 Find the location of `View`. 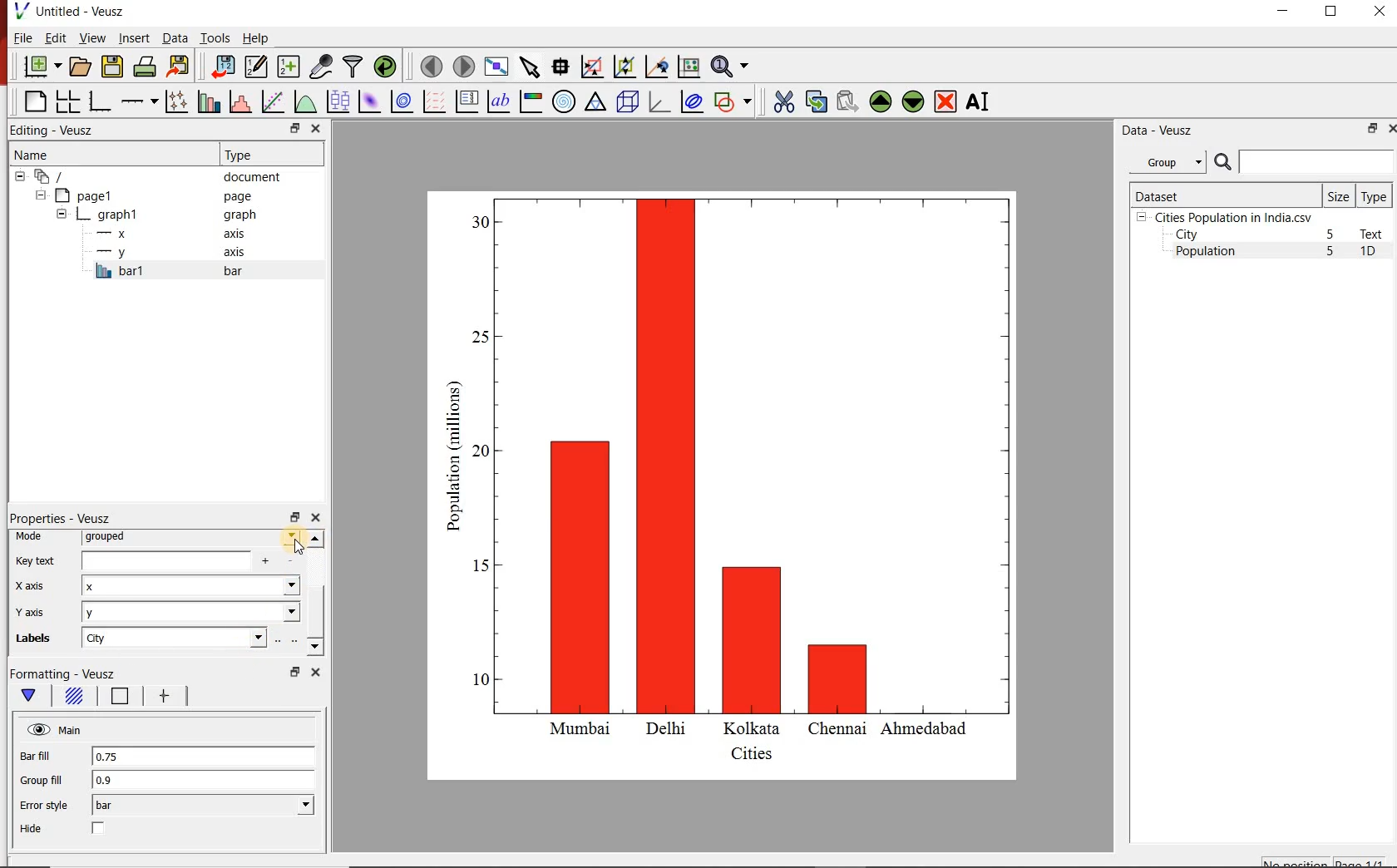

View is located at coordinates (89, 37).